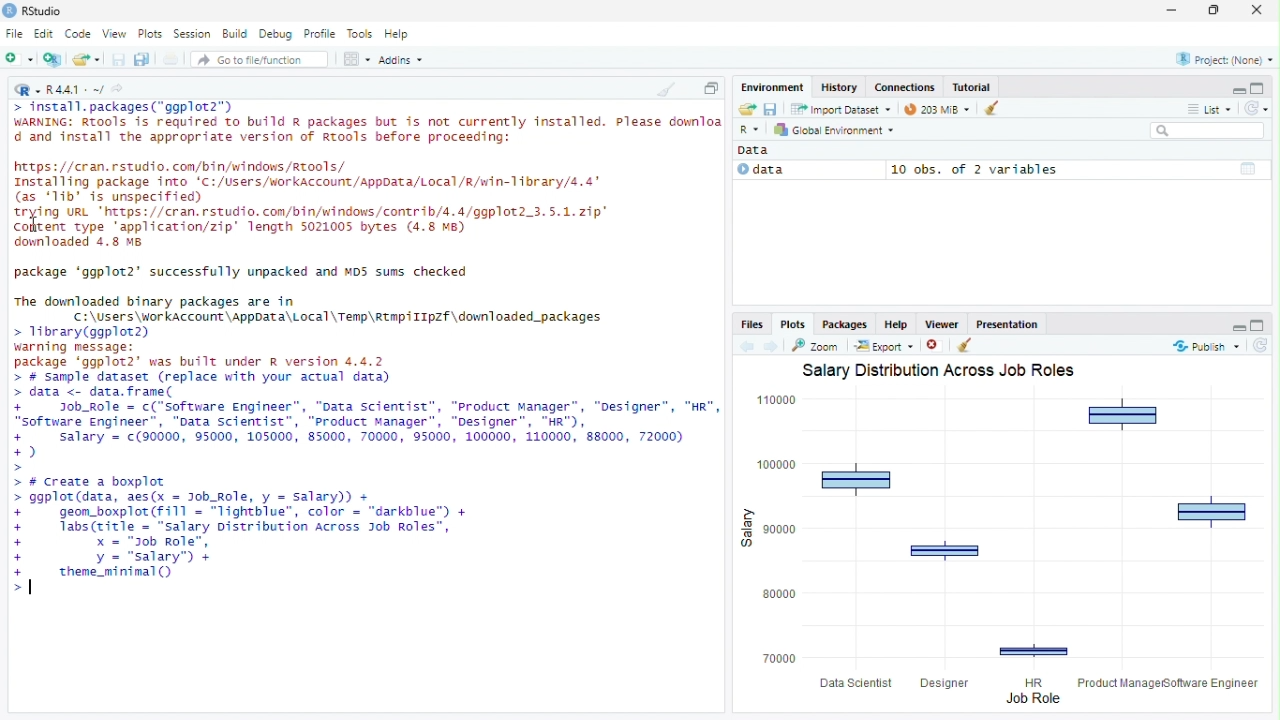 The width and height of the screenshot is (1280, 720). What do you see at coordinates (965, 346) in the screenshot?
I see `Clear all plot` at bounding box center [965, 346].